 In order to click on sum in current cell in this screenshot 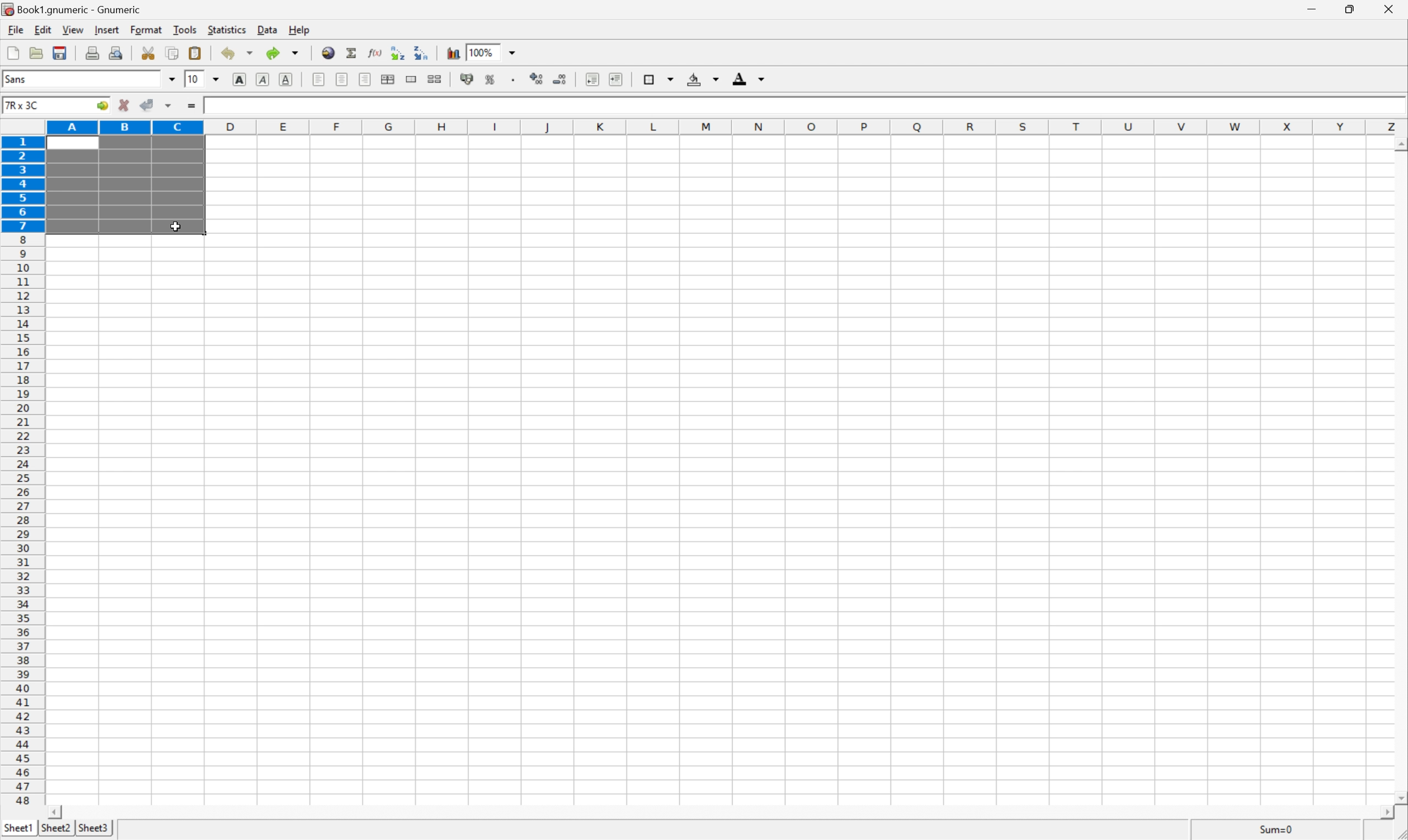, I will do `click(351, 52)`.